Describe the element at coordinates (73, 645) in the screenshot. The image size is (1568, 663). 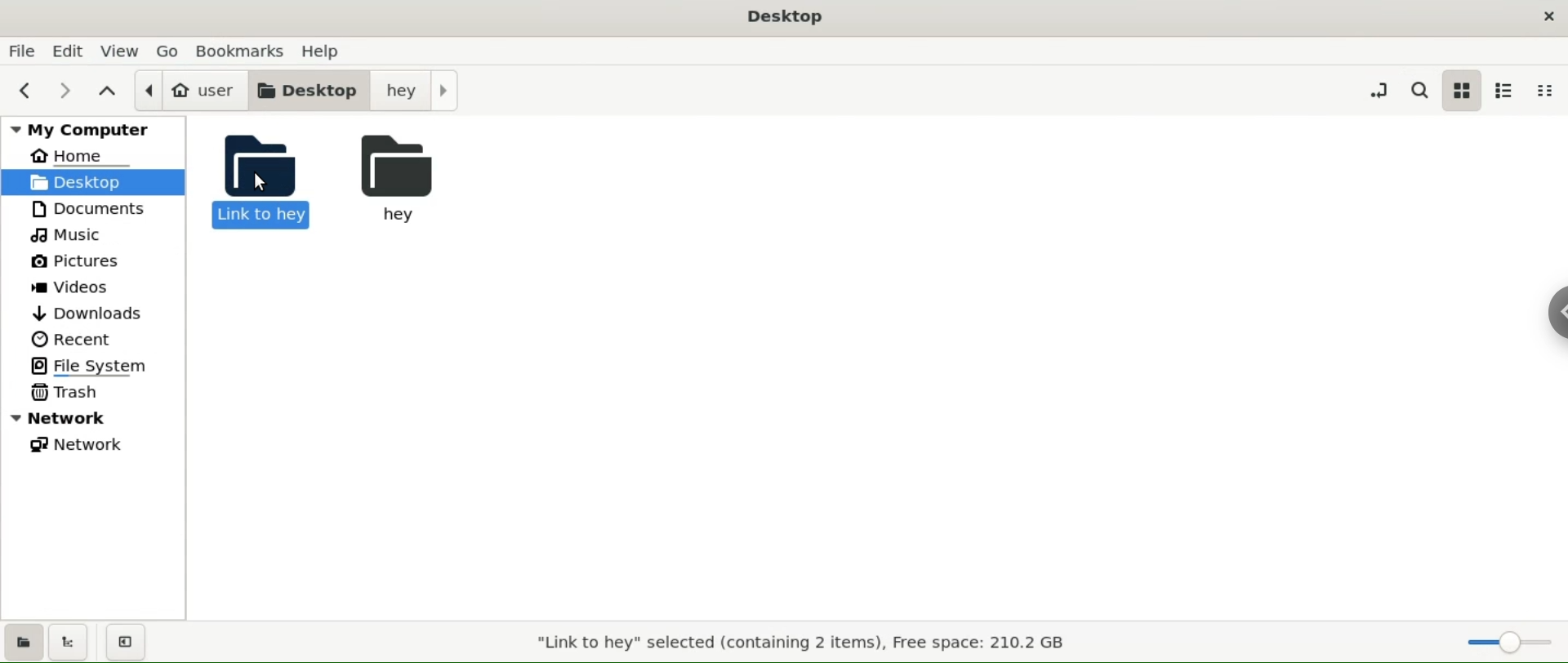
I see `show treeview` at that location.